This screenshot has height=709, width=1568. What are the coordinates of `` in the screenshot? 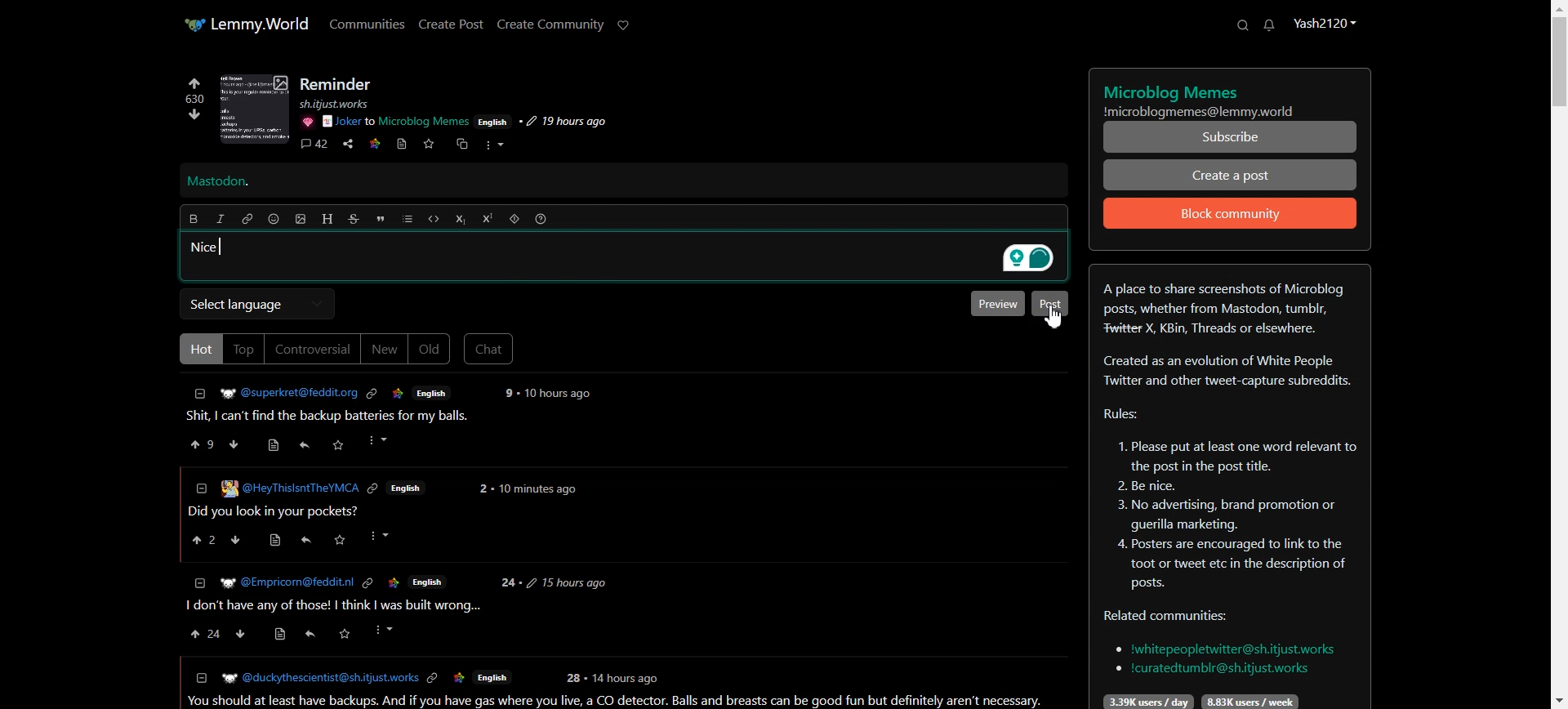 It's located at (506, 393).